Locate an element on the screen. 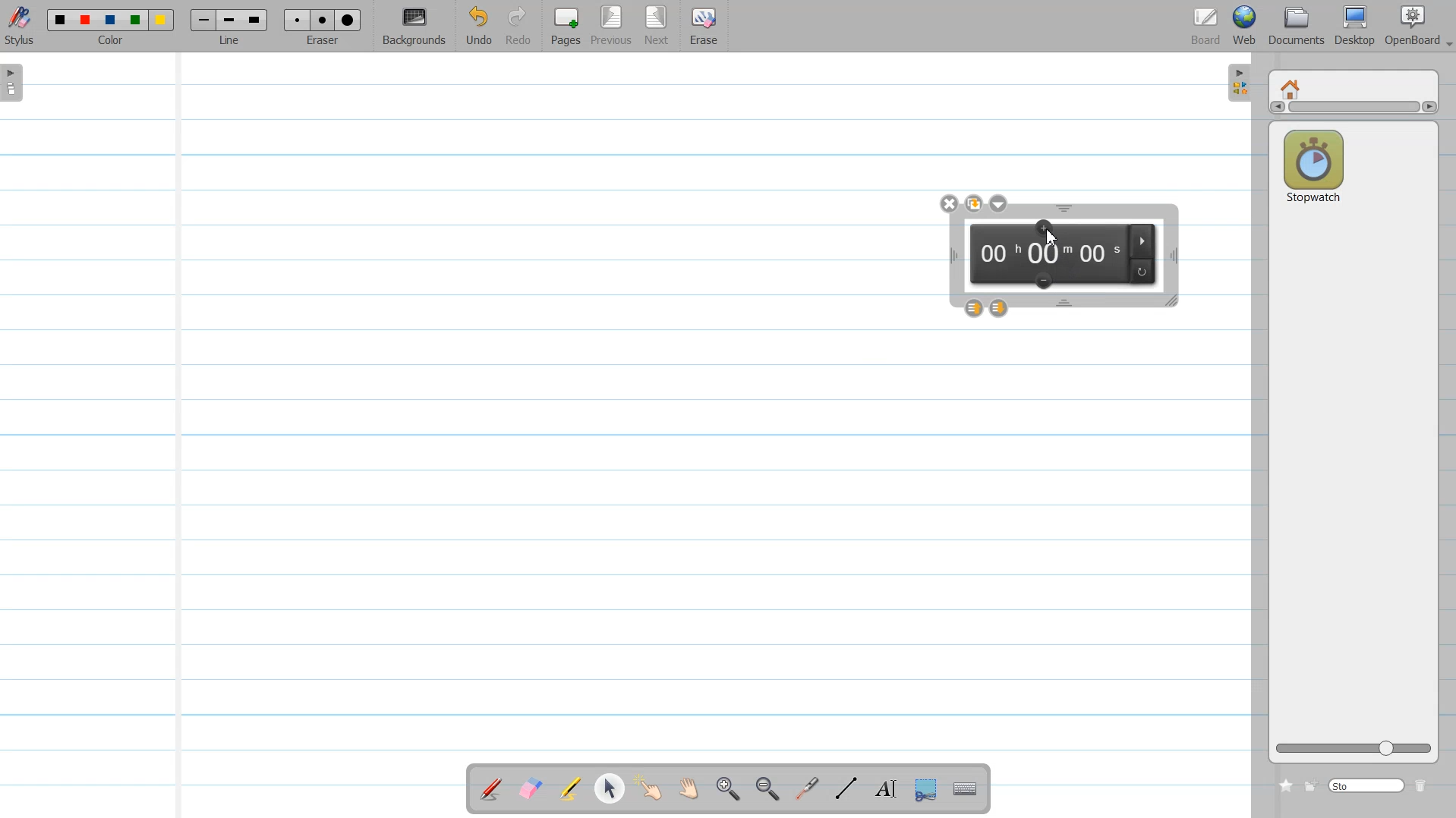 Image resolution: width=1456 pixels, height=818 pixels. Eraser is located at coordinates (323, 27).